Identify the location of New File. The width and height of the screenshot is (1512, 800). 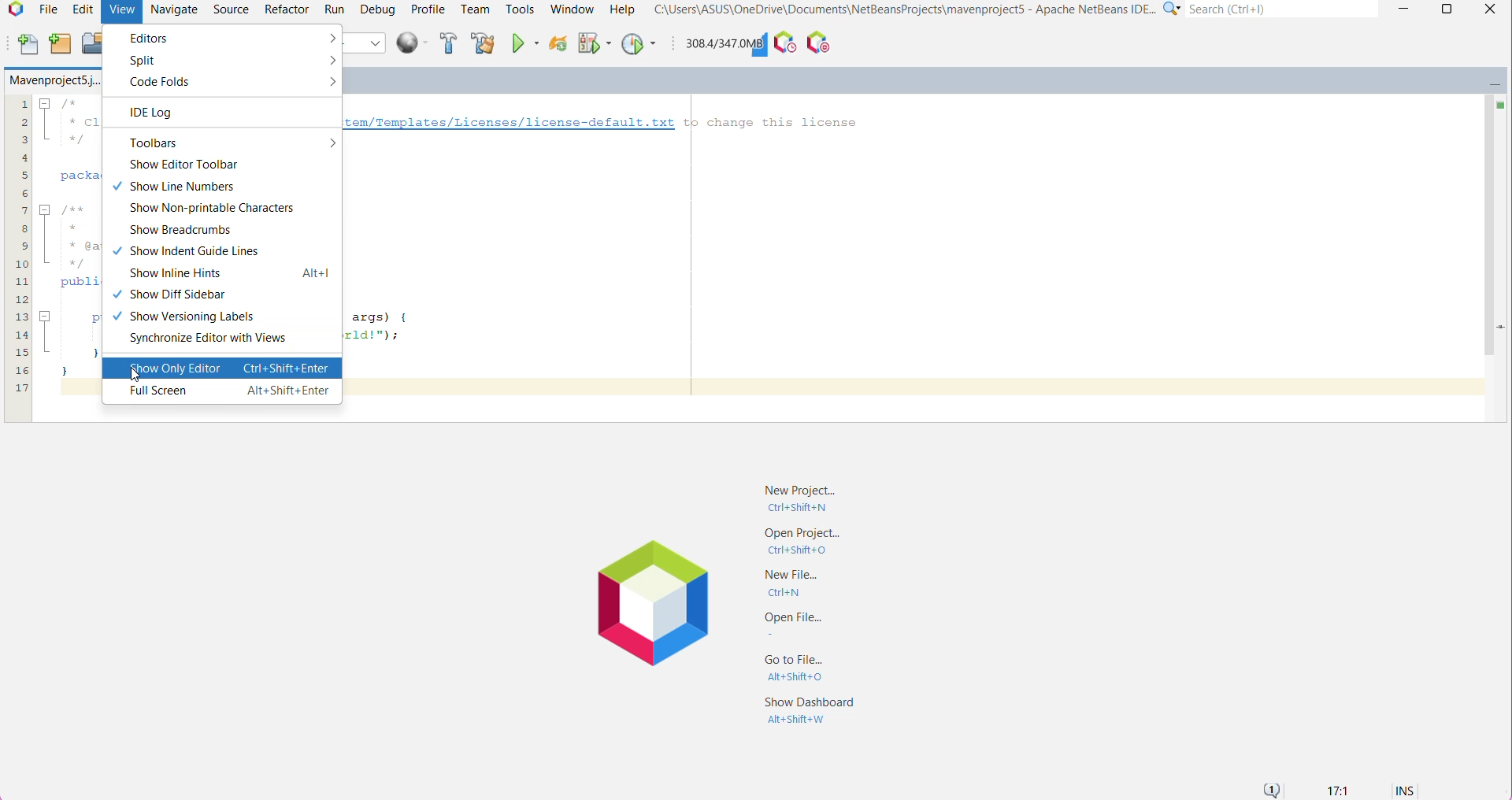
(29, 45).